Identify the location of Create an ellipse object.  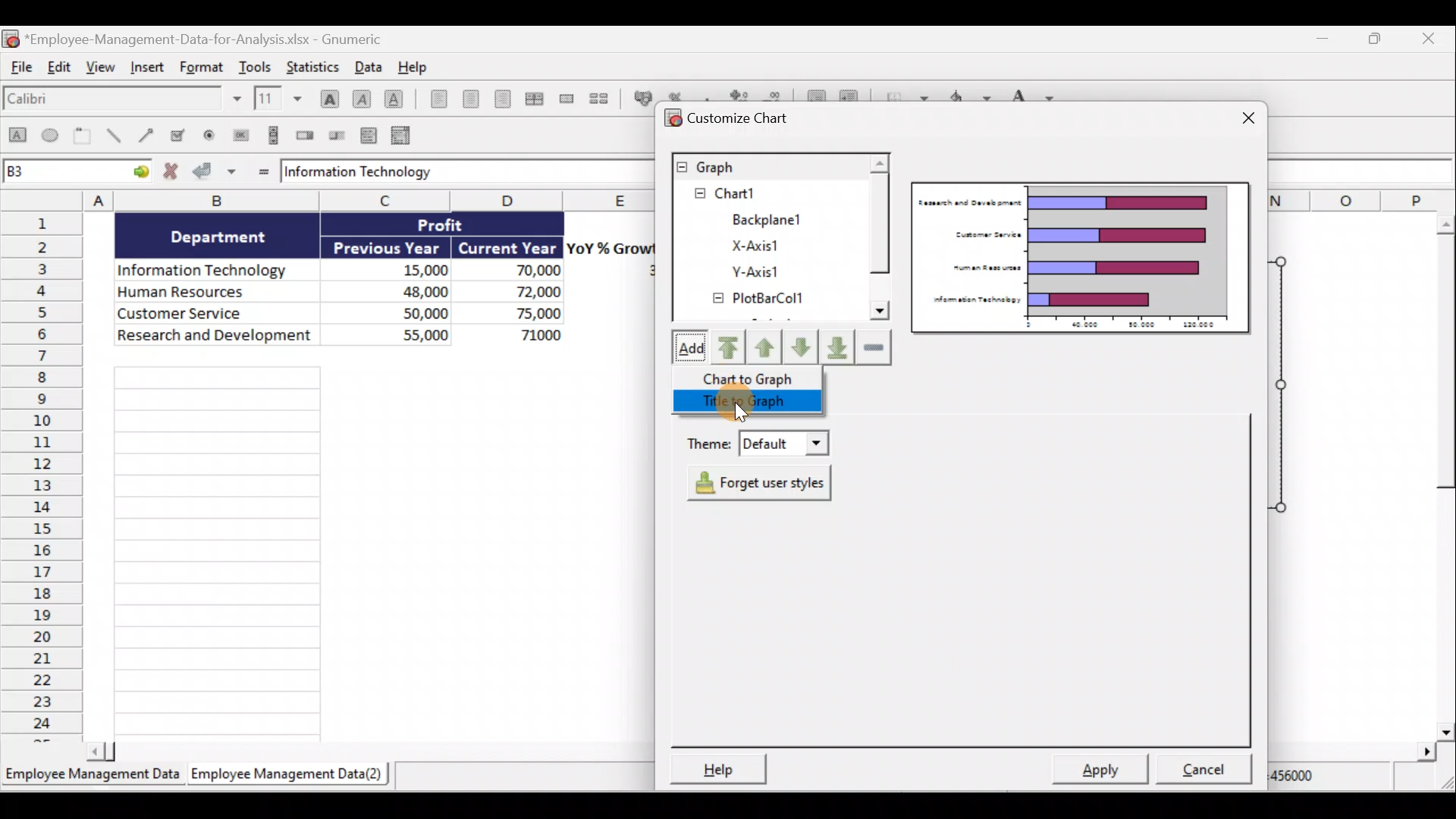
(52, 137).